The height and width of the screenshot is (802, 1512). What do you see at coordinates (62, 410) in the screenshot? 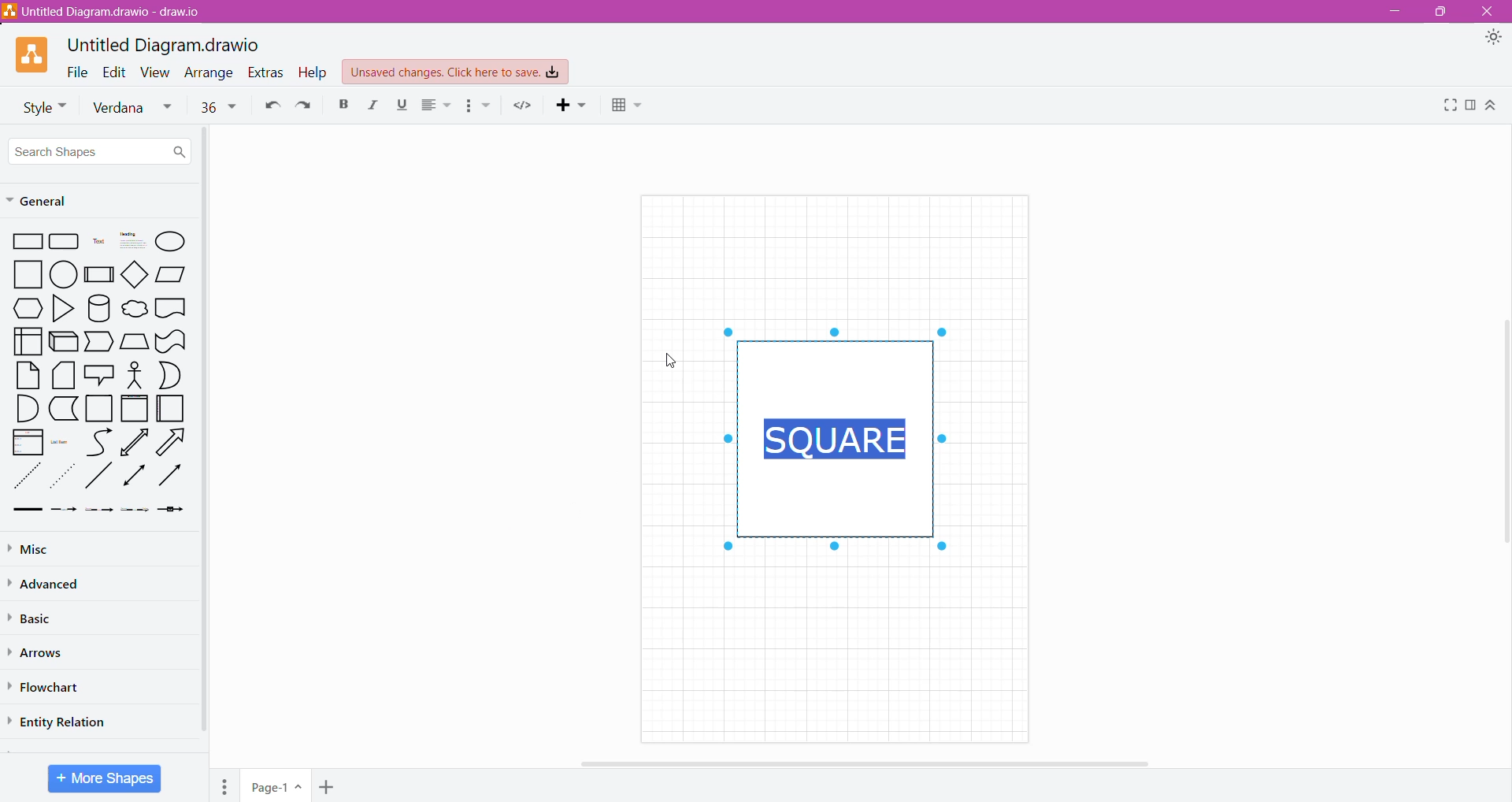
I see `L-Shaped Rectangle ` at bounding box center [62, 410].